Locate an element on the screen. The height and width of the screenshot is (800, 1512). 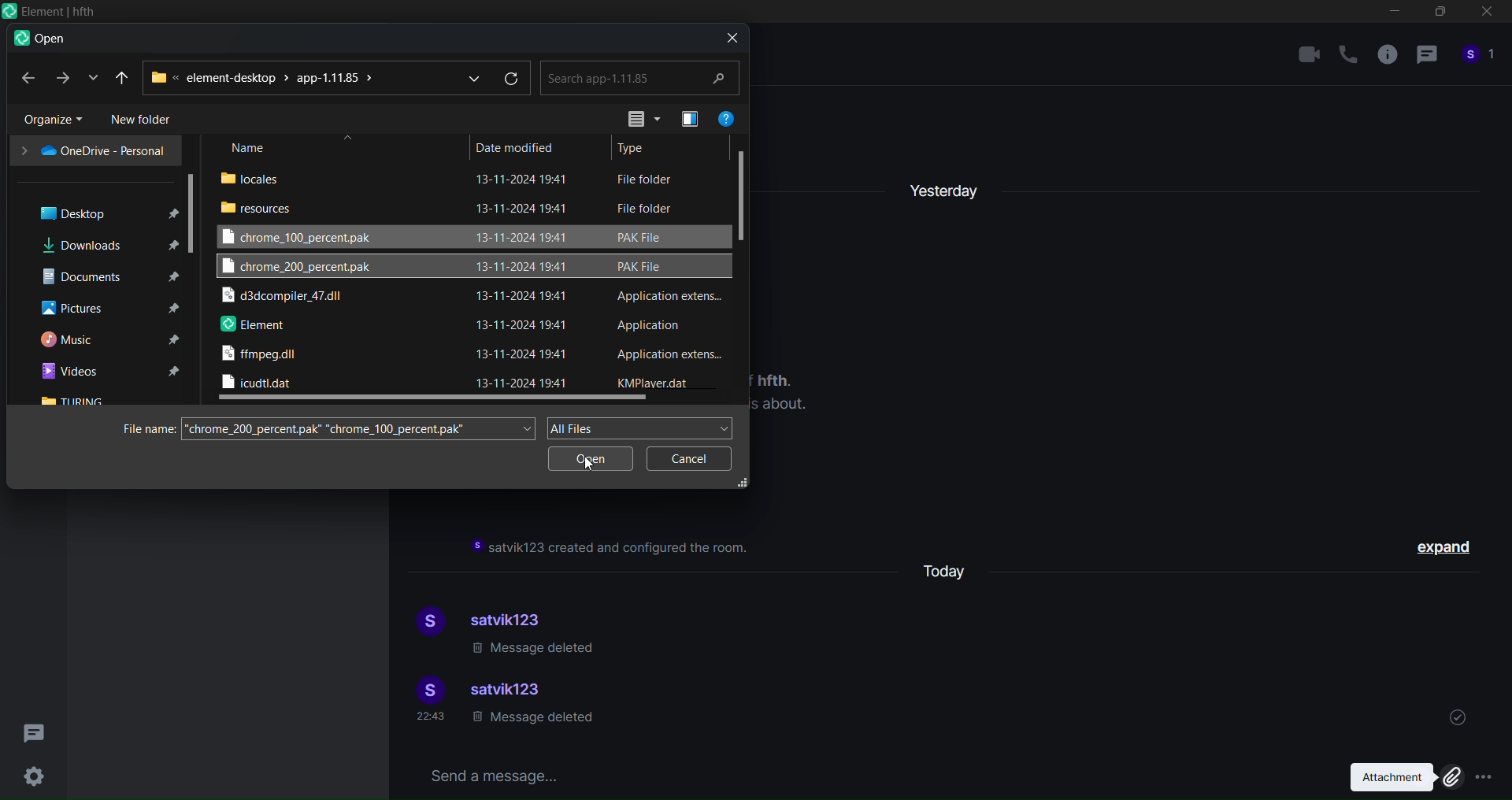
dropdown is located at coordinates (469, 76).